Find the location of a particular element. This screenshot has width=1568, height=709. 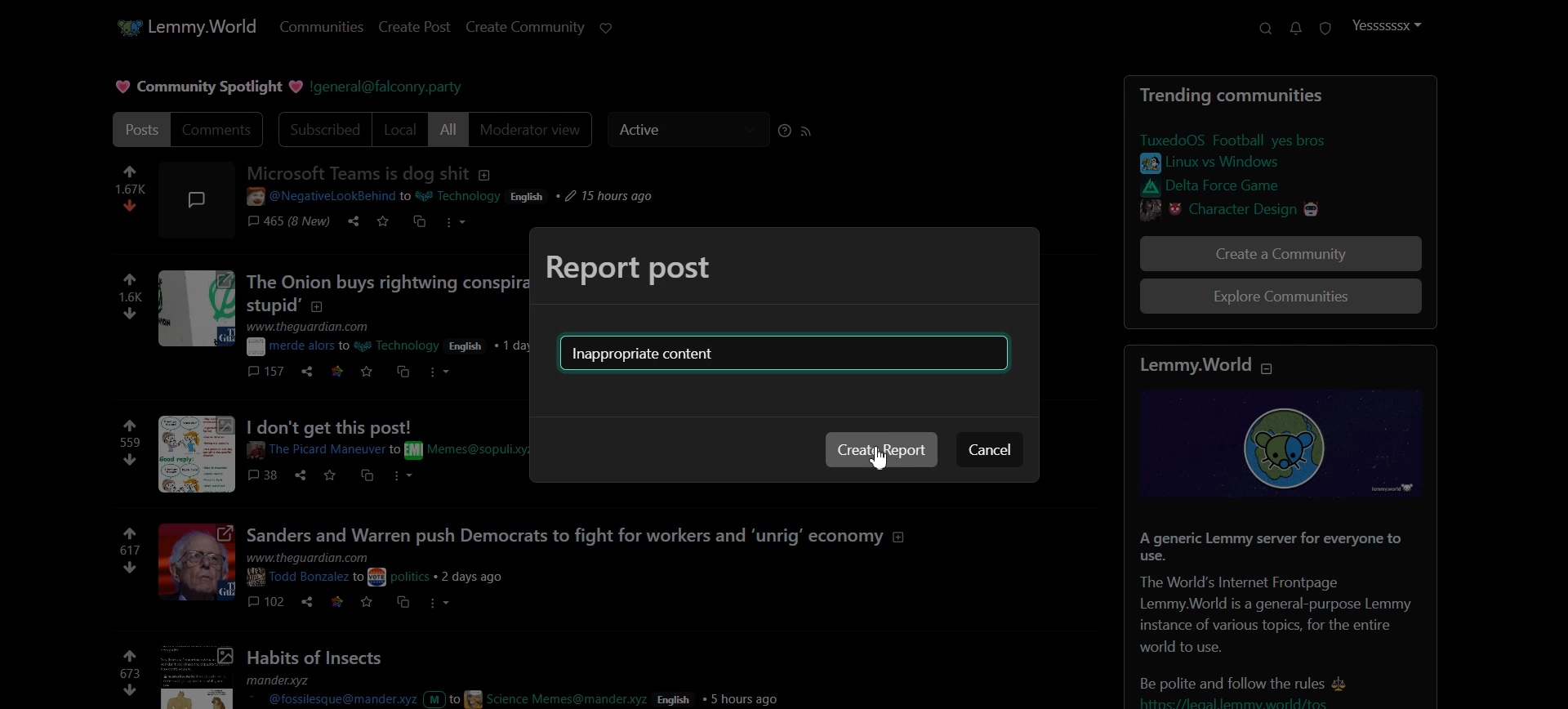

All is located at coordinates (449, 129).